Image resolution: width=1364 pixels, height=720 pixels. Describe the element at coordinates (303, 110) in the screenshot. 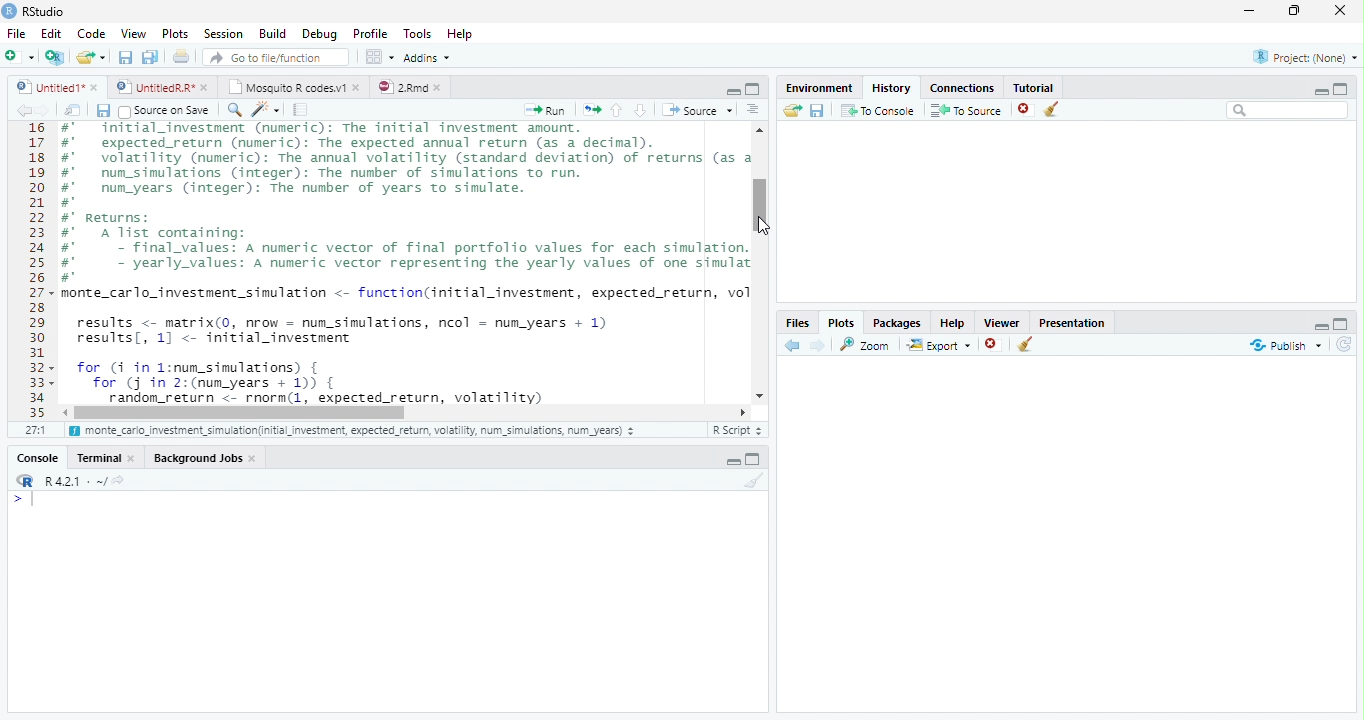

I see `Compile Report` at that location.